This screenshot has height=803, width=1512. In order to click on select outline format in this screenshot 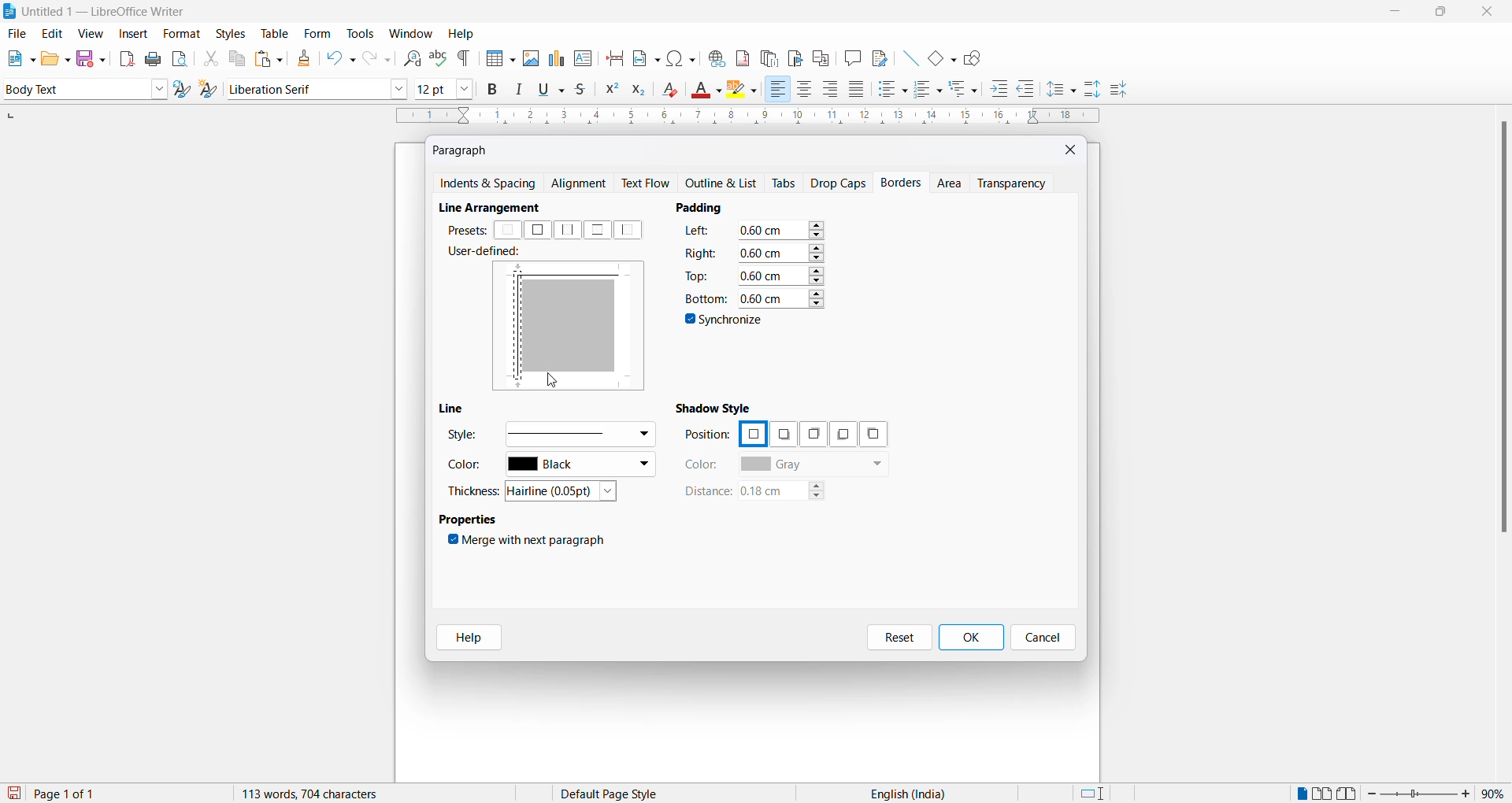, I will do `click(969, 88)`.